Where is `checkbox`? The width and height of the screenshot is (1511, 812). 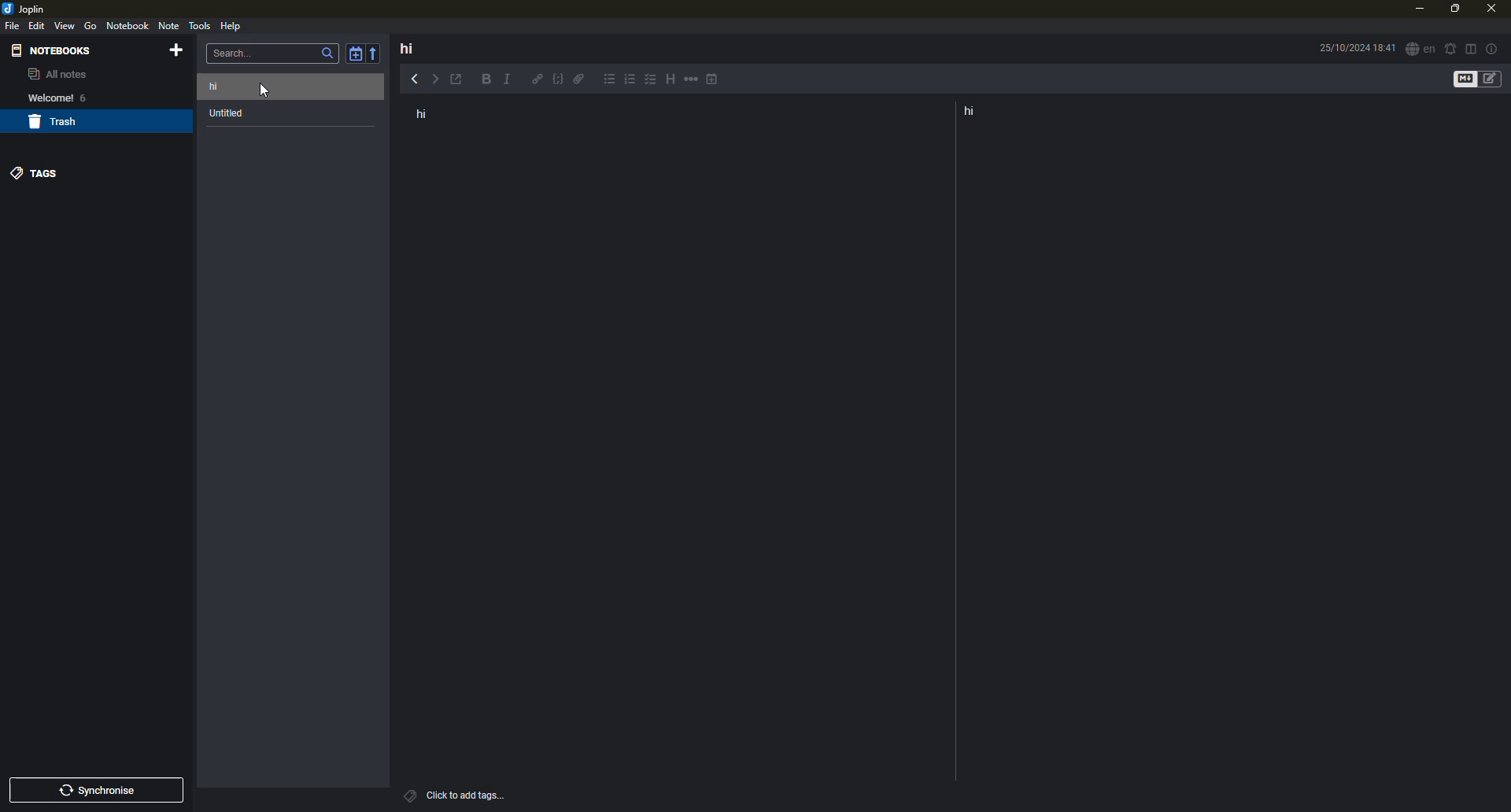
checkbox is located at coordinates (649, 80).